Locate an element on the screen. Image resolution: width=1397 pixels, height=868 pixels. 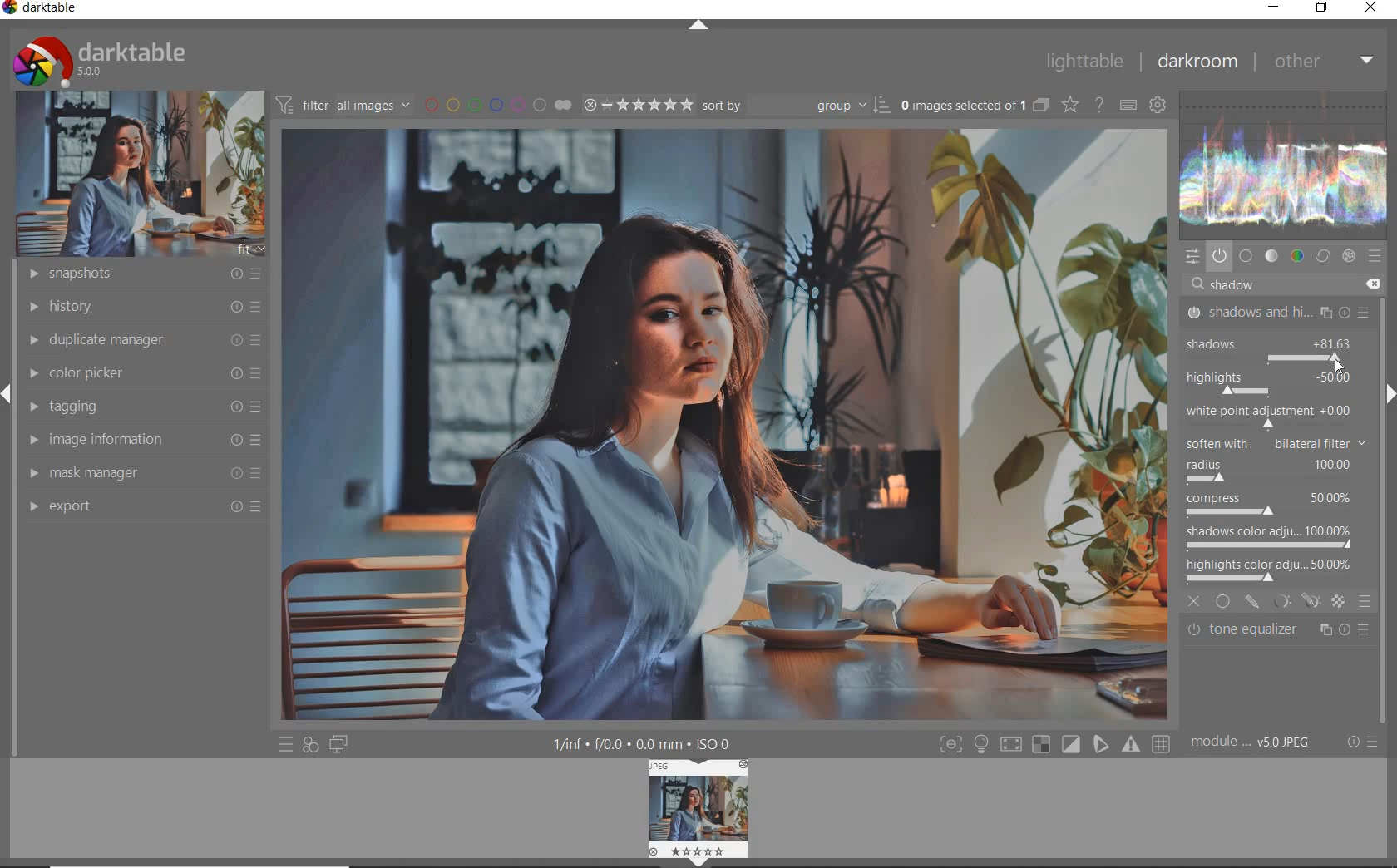
display information is located at coordinates (644, 742).